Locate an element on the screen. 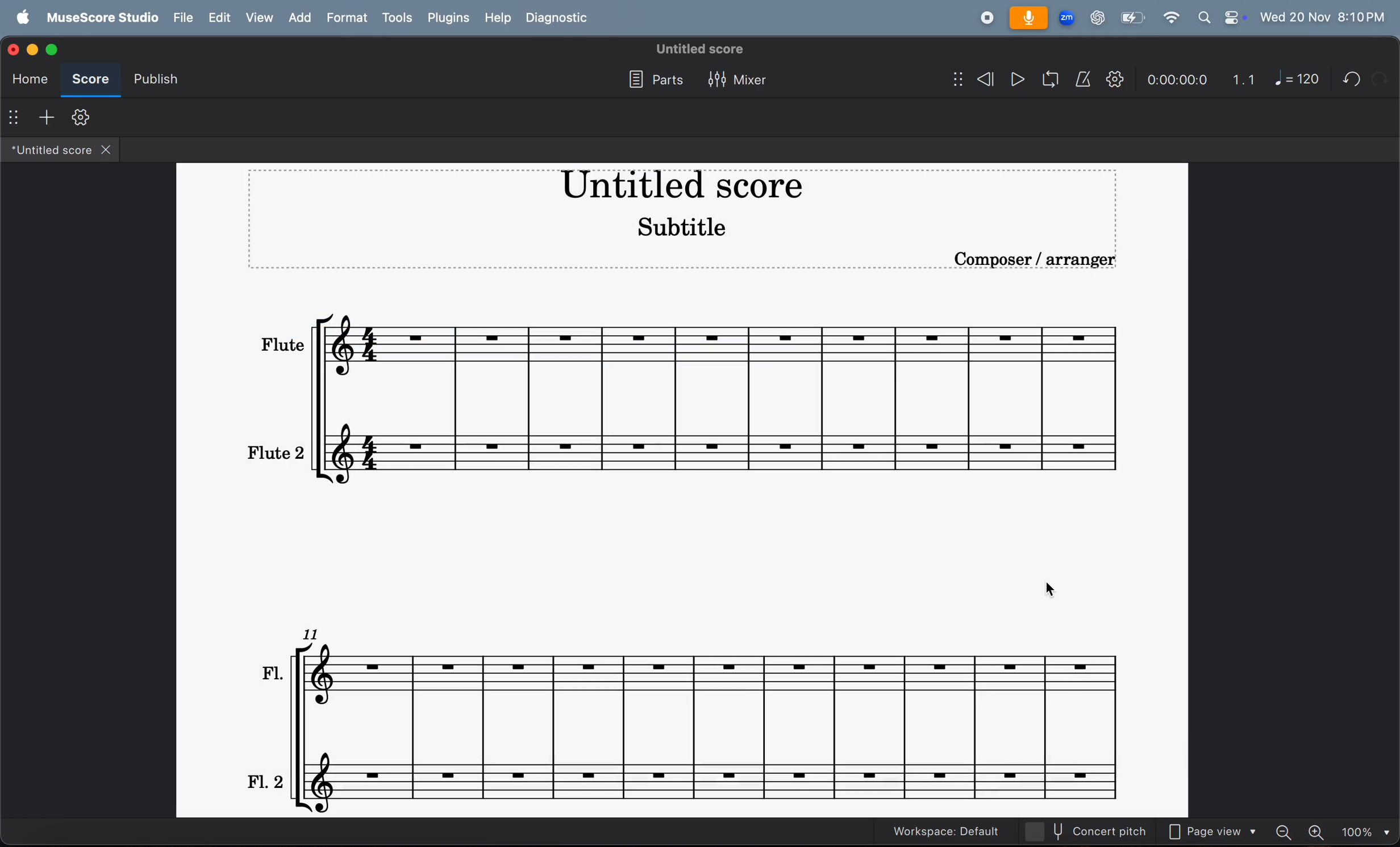  untitled score is located at coordinates (48, 151).